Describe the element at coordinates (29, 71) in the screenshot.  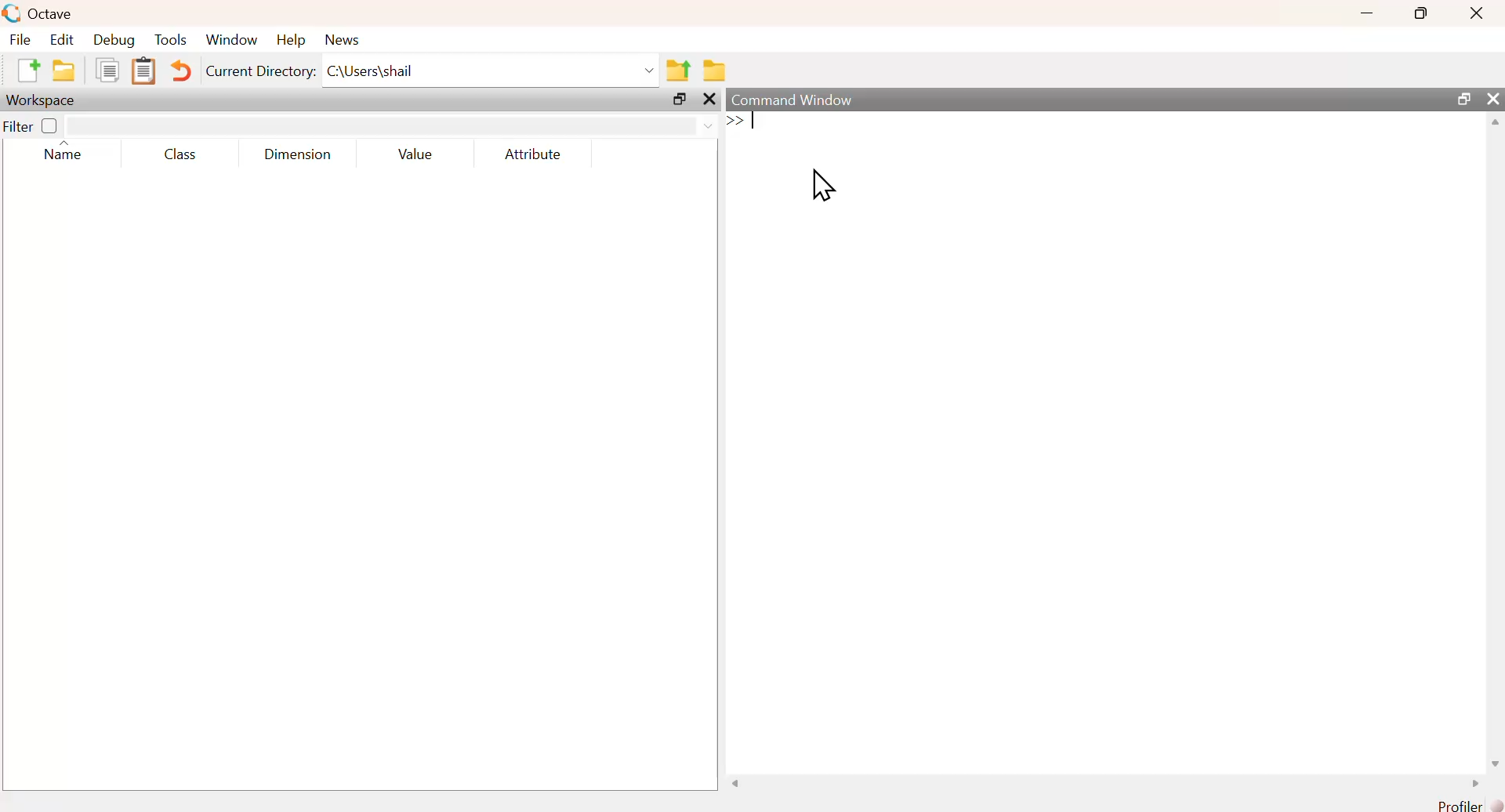
I see `New File` at that location.